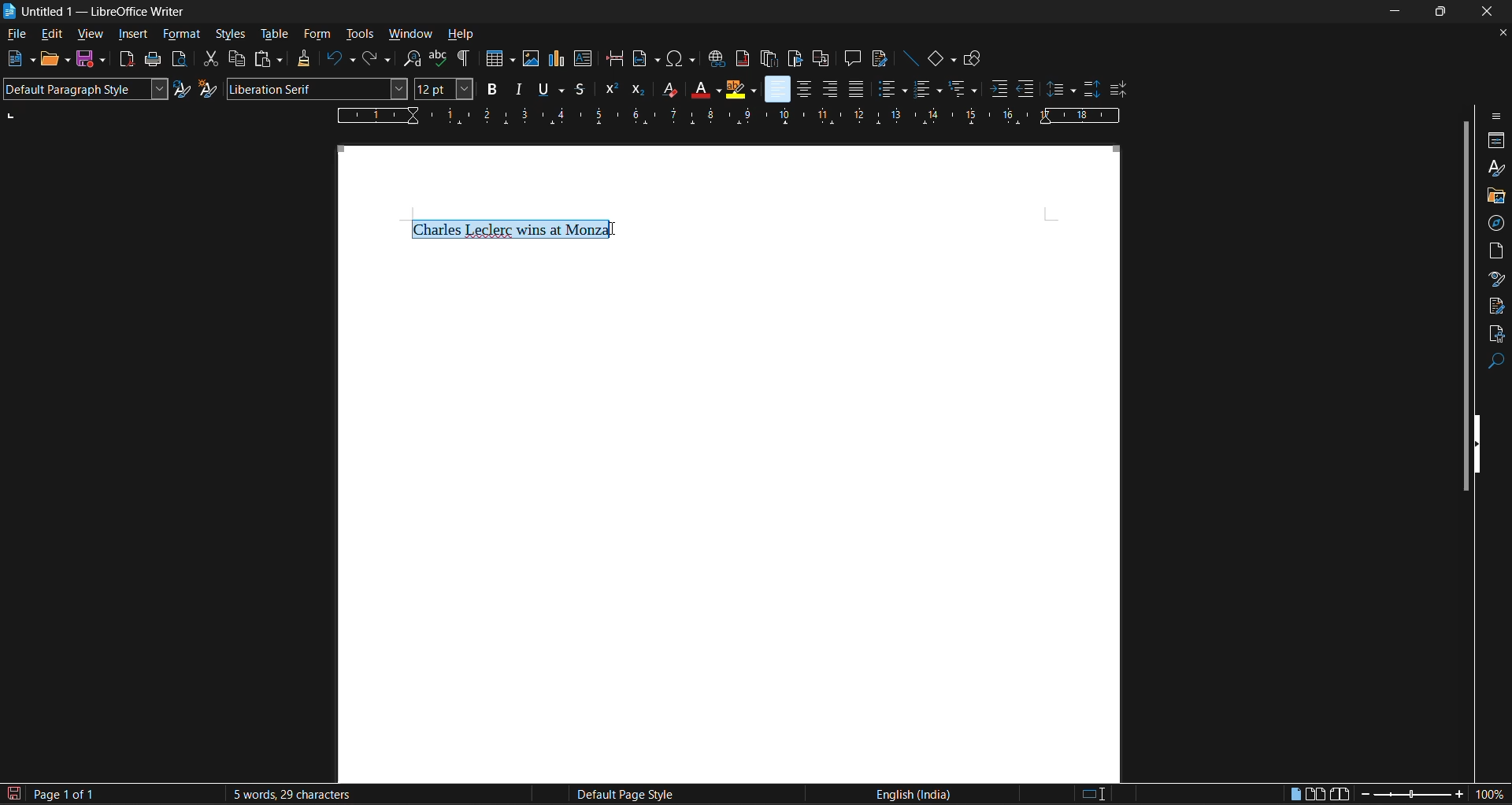  I want to click on insert image, so click(529, 59).